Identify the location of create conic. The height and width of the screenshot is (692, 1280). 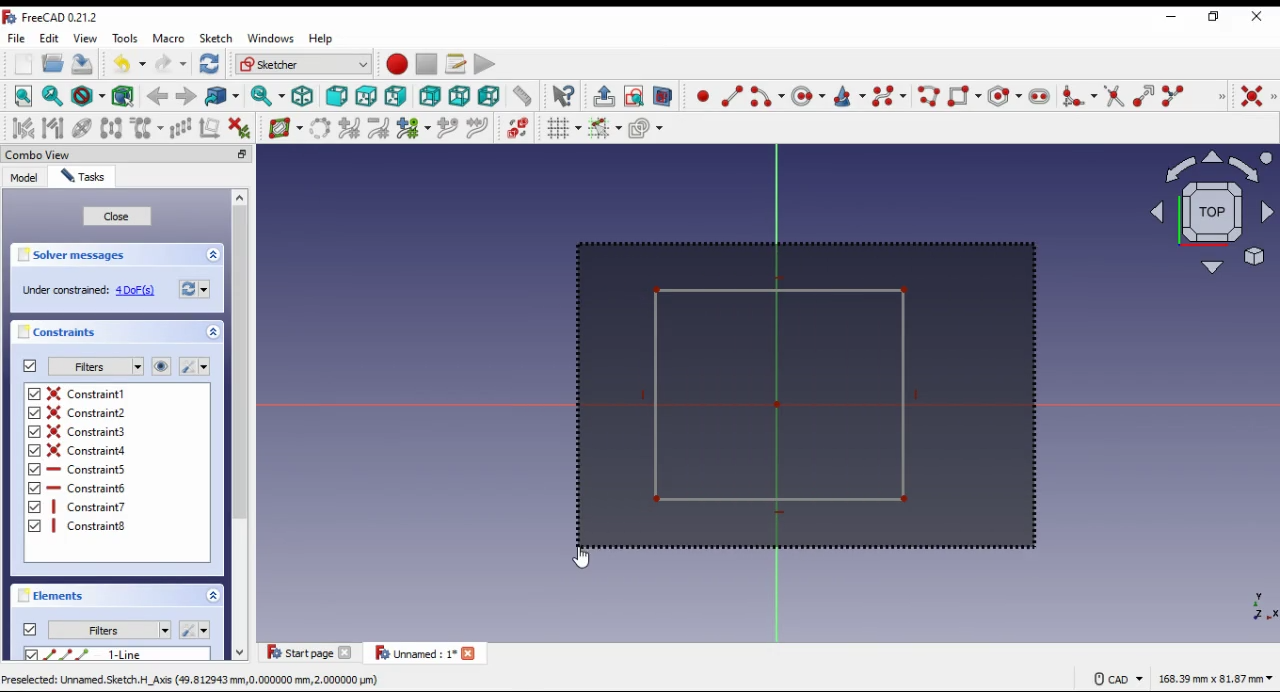
(848, 96).